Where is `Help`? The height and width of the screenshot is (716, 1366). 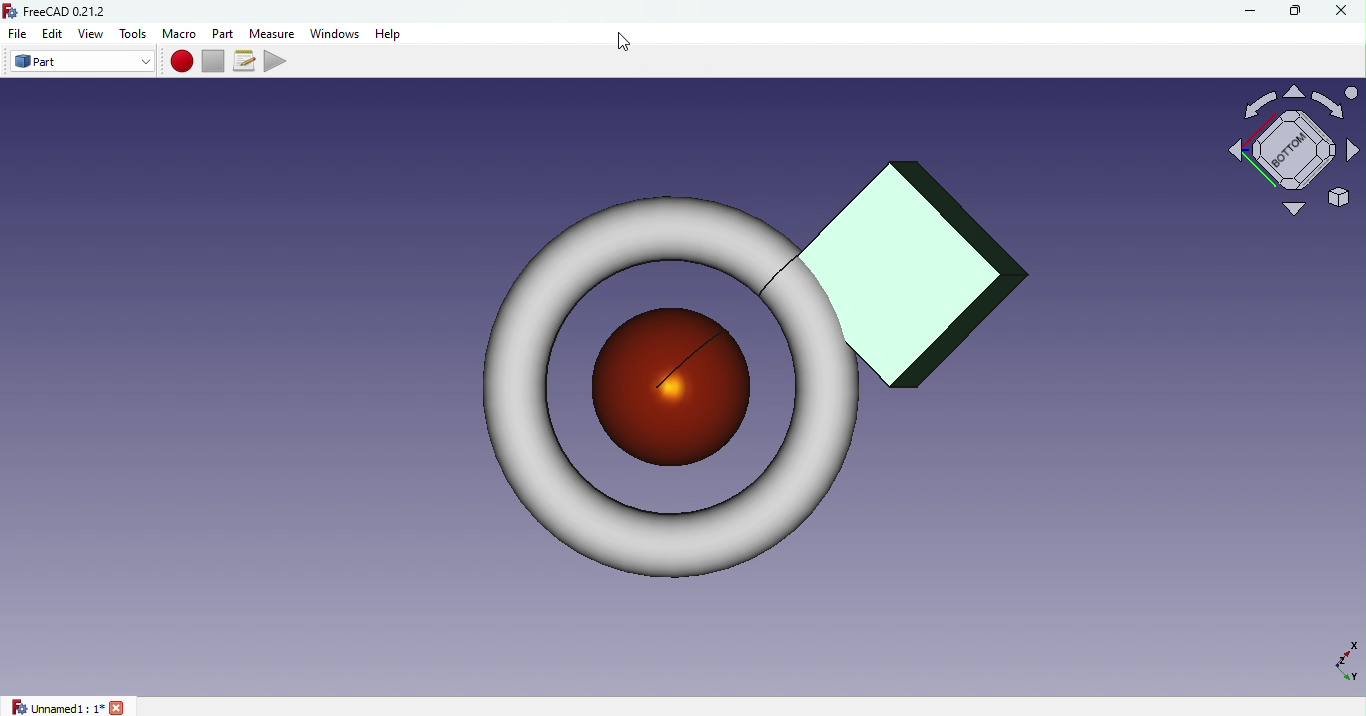 Help is located at coordinates (391, 35).